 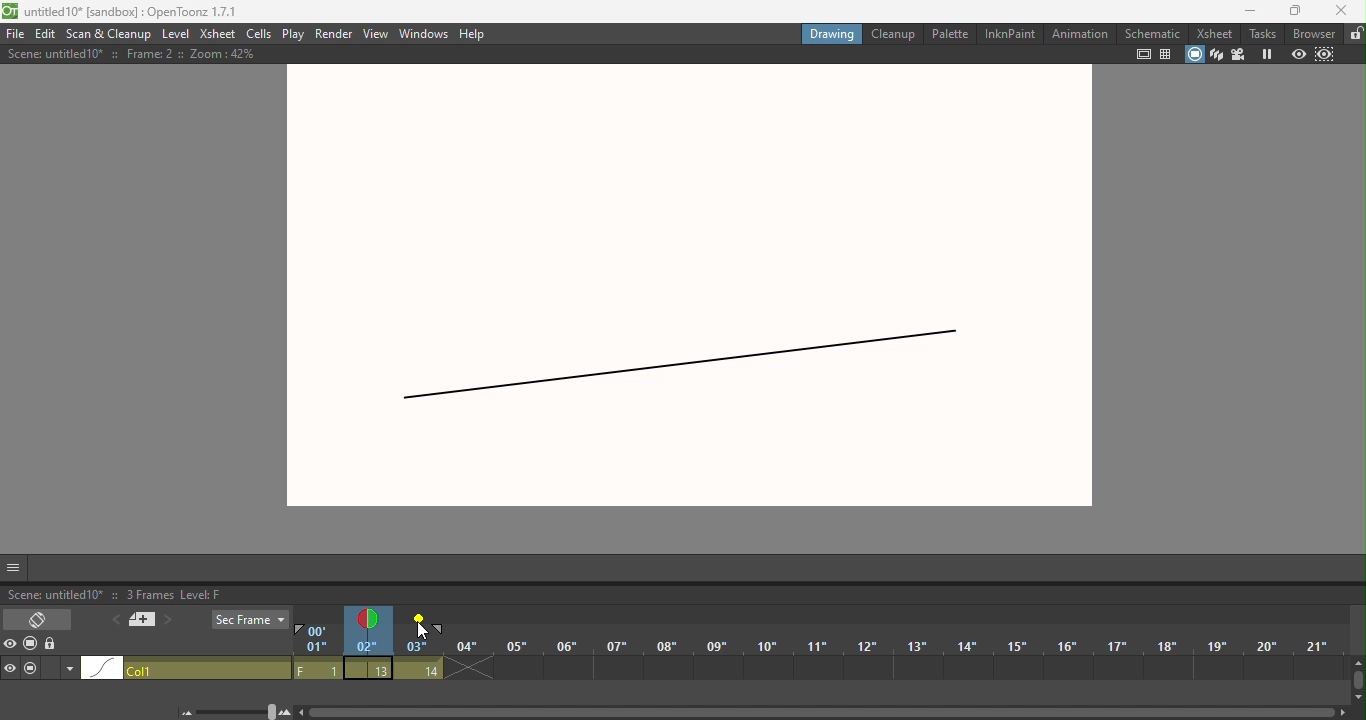 I want to click on safe area, so click(x=1143, y=54).